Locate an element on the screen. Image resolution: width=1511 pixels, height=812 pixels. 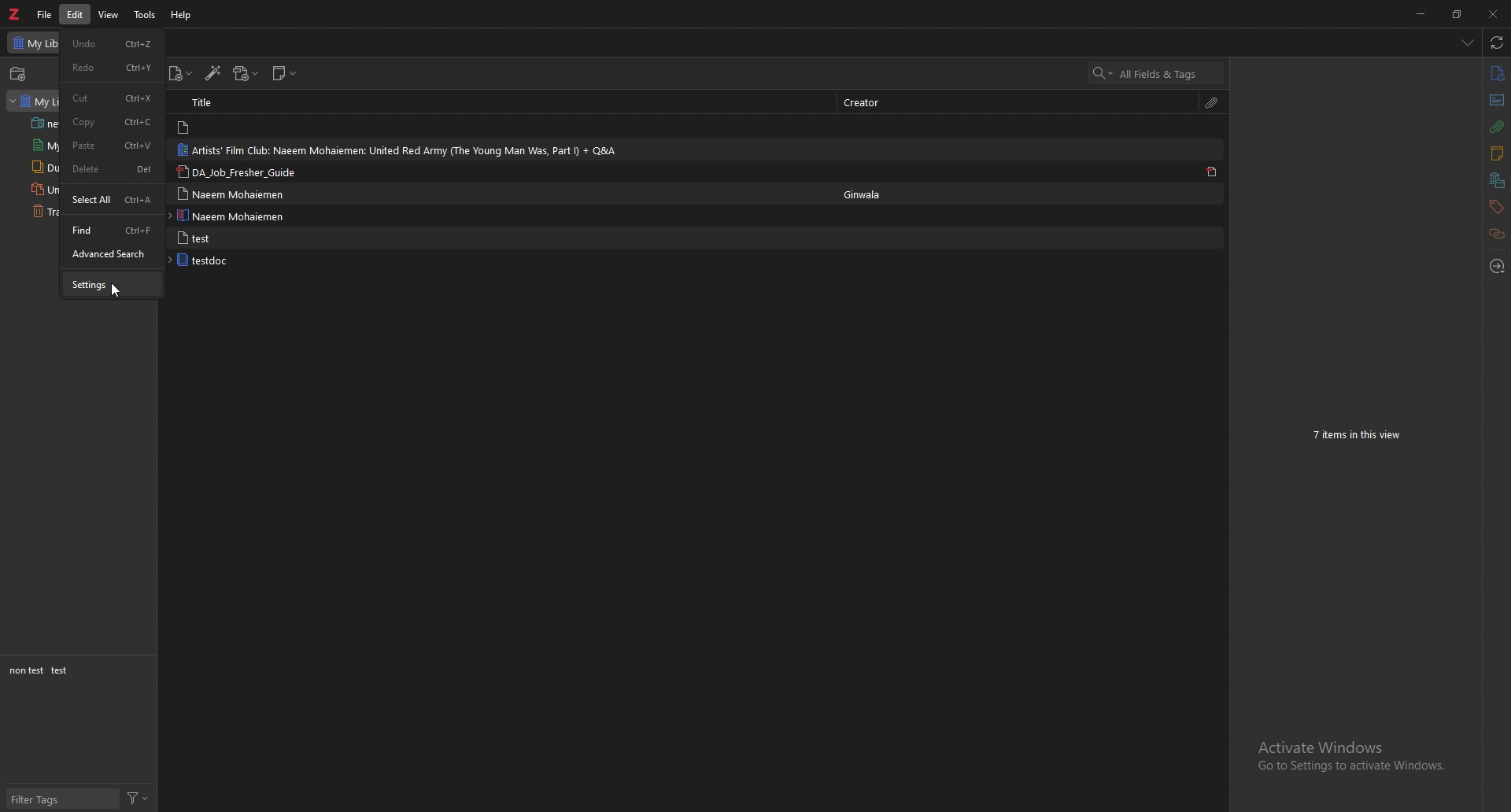
attachment is located at coordinates (1496, 127).